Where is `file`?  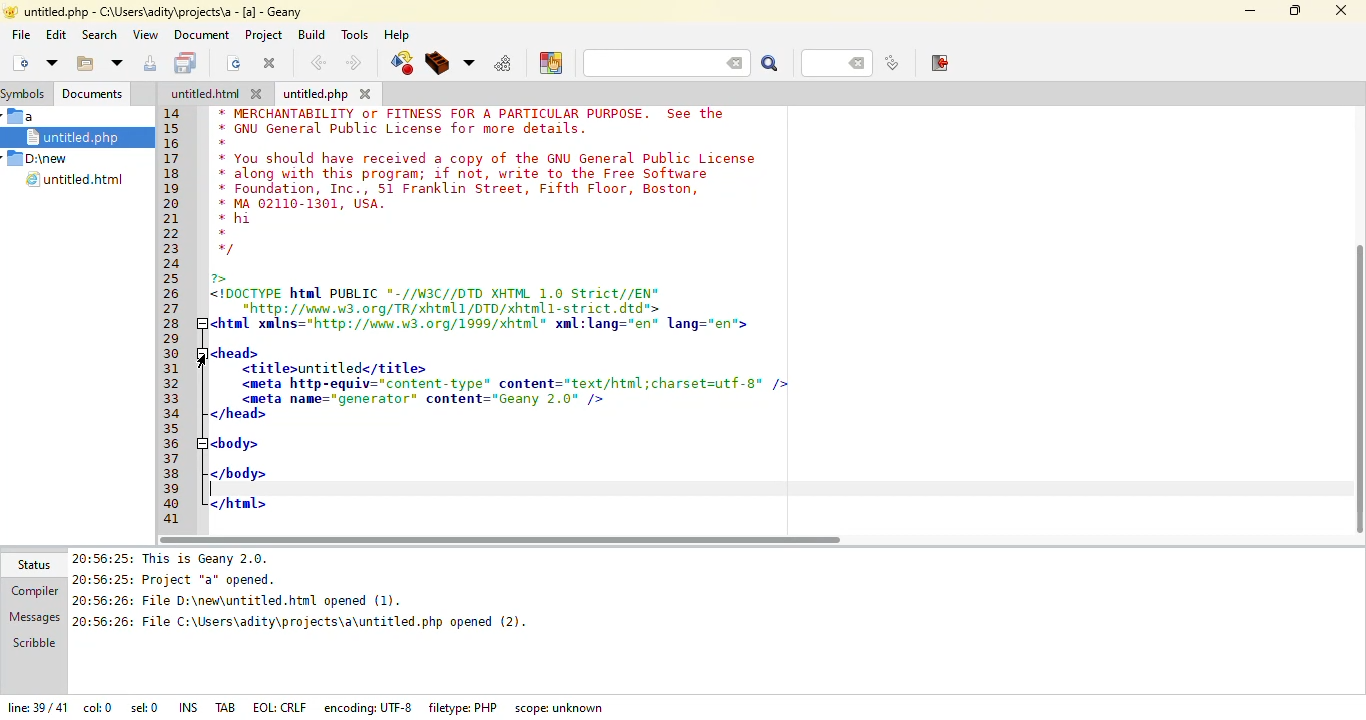
file is located at coordinates (20, 34).